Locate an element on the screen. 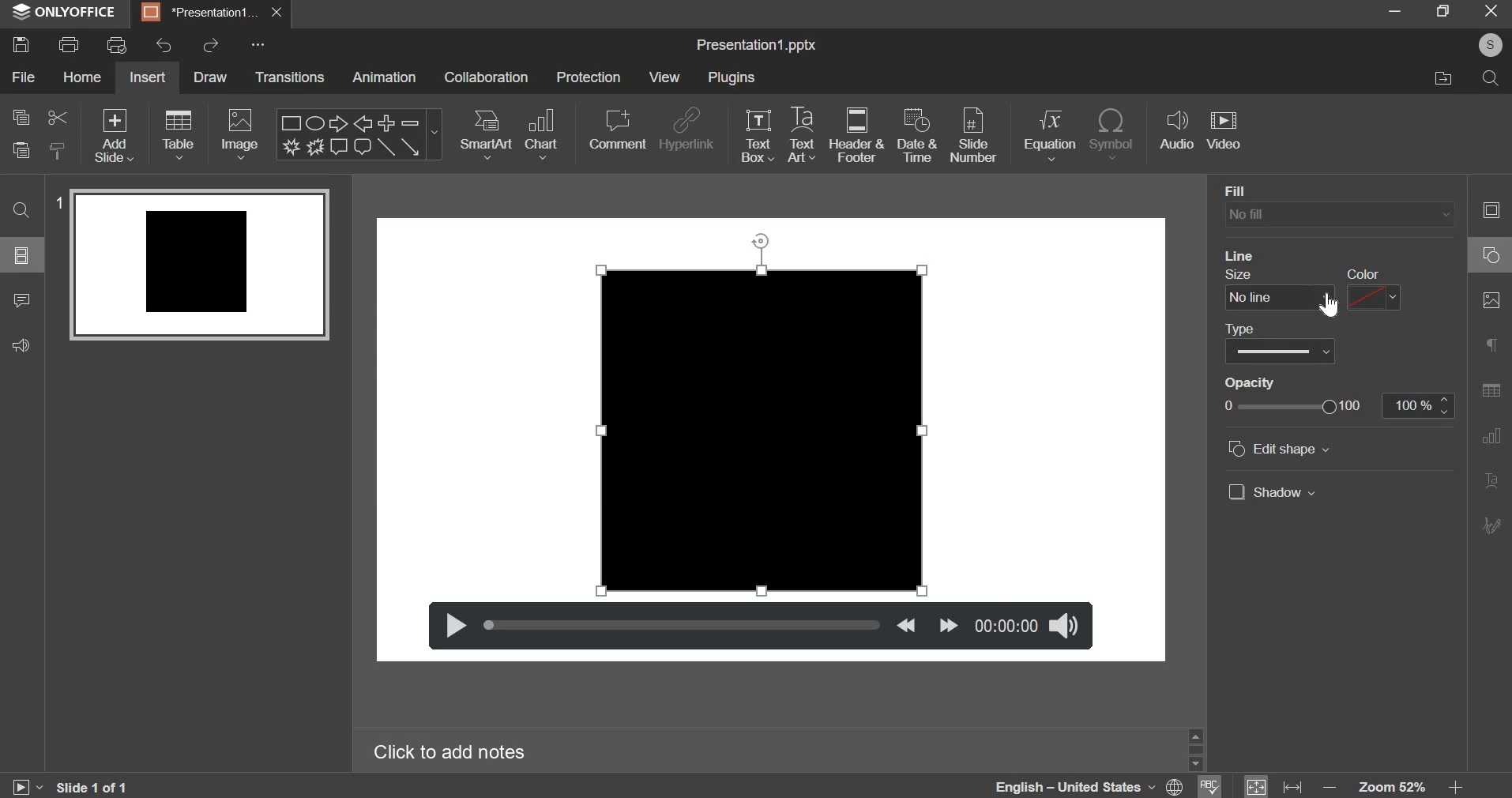 The height and width of the screenshot is (798, 1512). file is located at coordinates (22, 76).